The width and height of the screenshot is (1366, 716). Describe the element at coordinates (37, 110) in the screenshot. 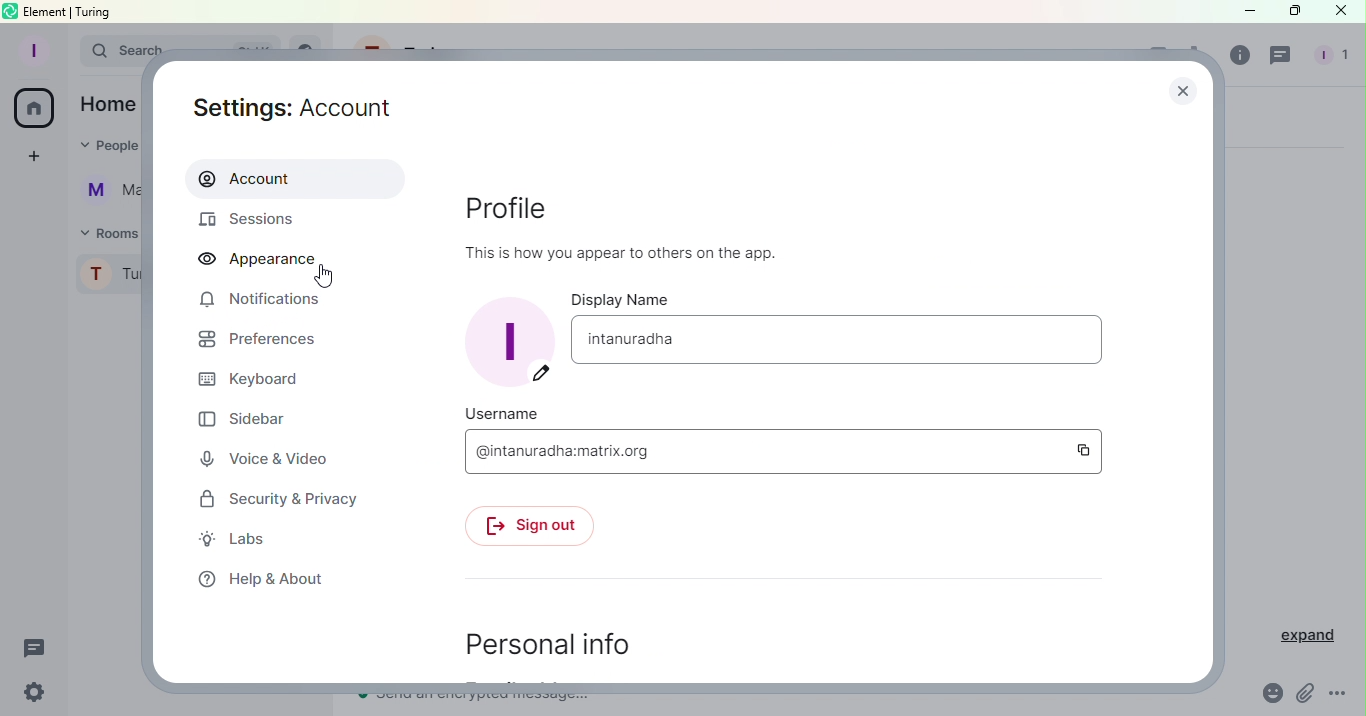

I see `Home` at that location.